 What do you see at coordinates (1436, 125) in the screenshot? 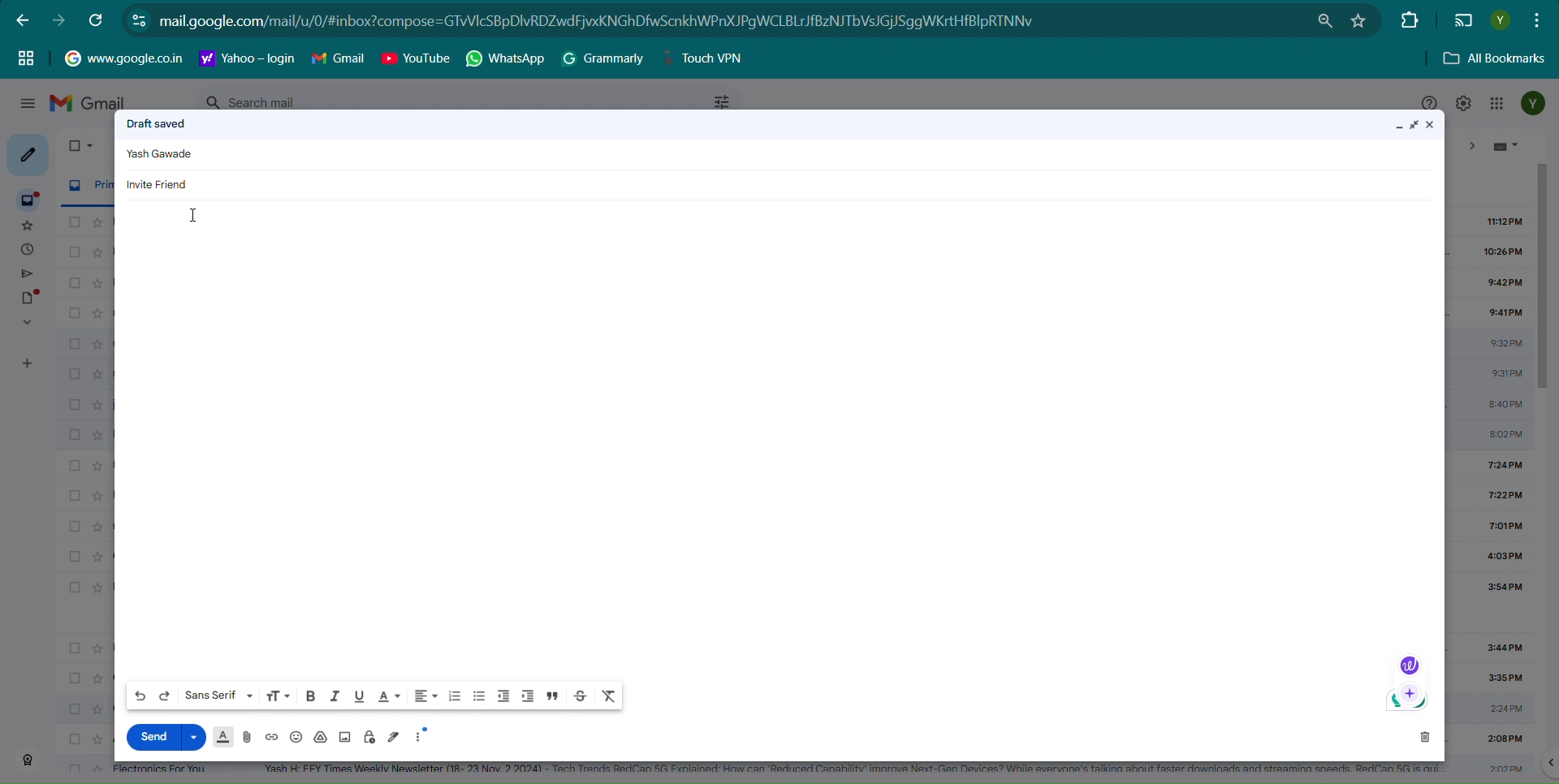
I see `Close` at bounding box center [1436, 125].